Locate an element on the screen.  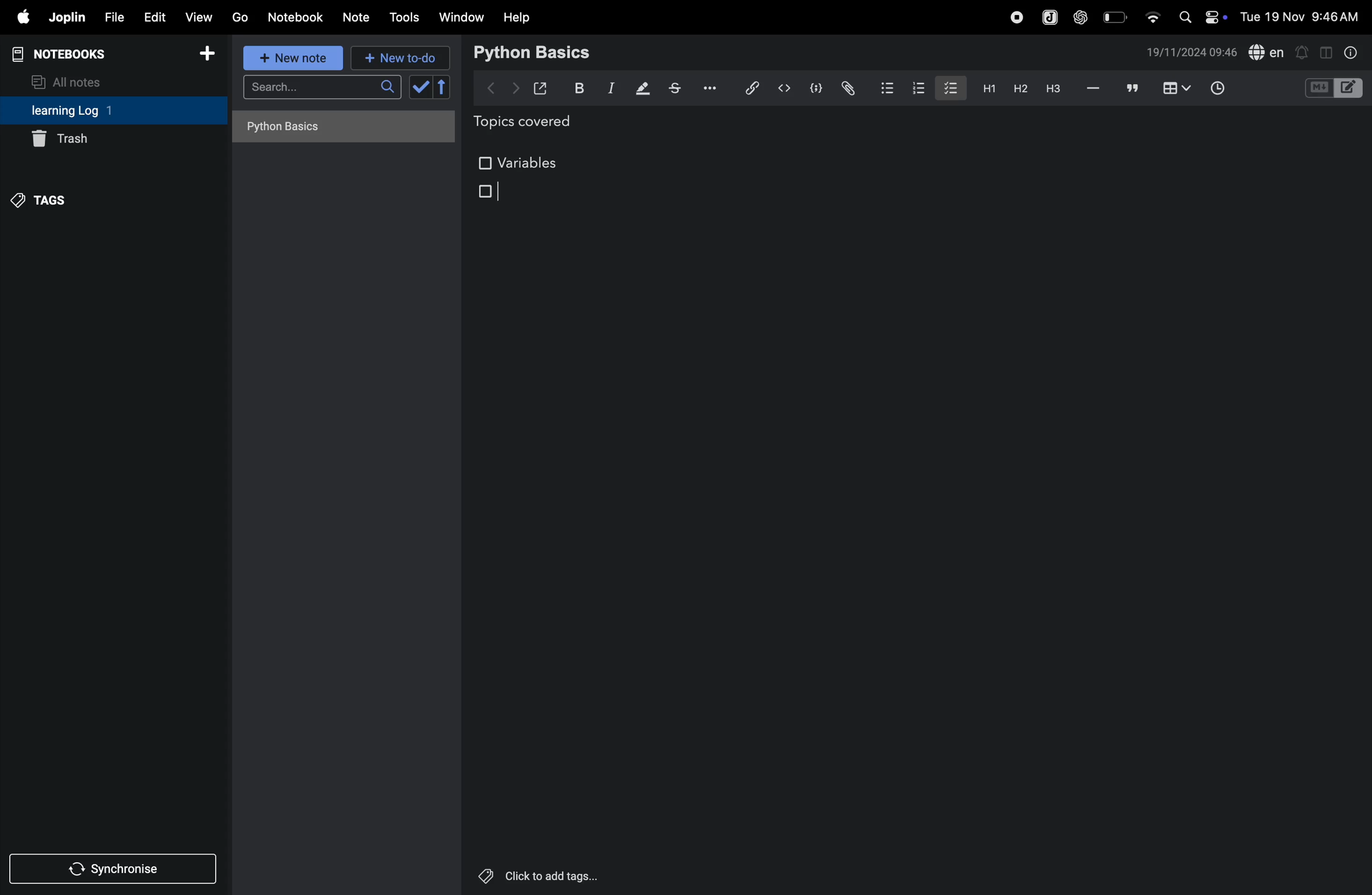
bold is located at coordinates (576, 88).